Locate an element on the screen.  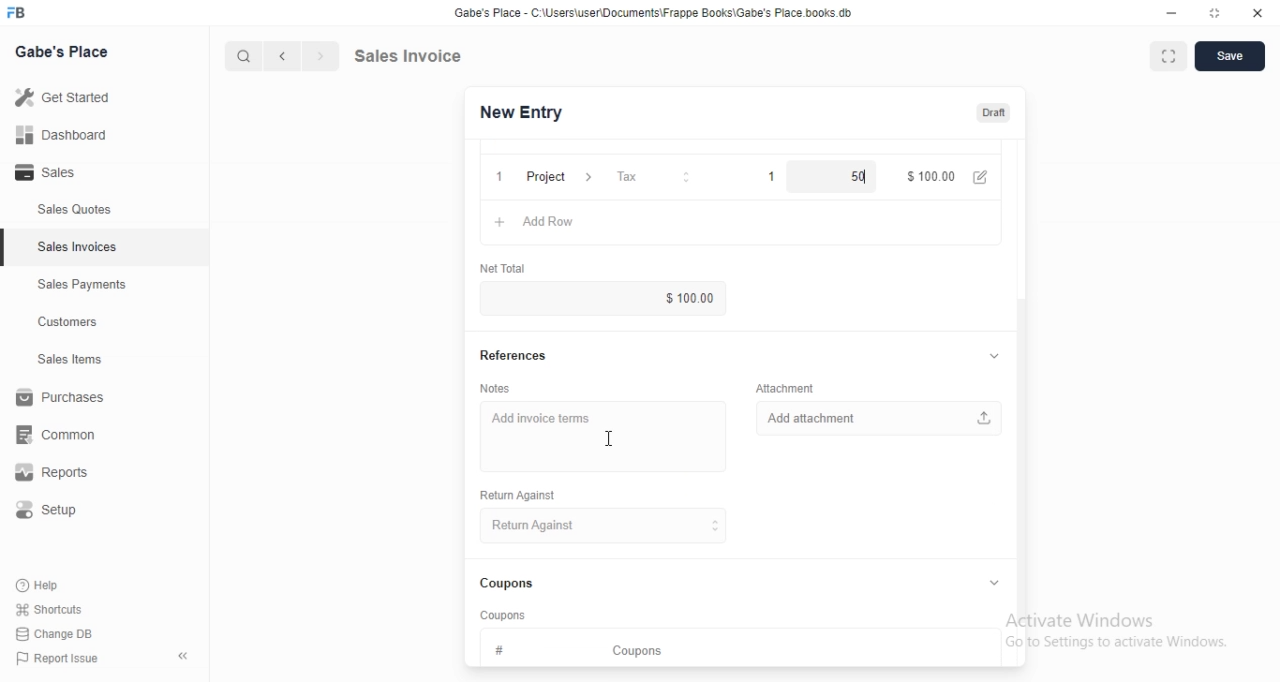
Sales Invoice is located at coordinates (419, 55).